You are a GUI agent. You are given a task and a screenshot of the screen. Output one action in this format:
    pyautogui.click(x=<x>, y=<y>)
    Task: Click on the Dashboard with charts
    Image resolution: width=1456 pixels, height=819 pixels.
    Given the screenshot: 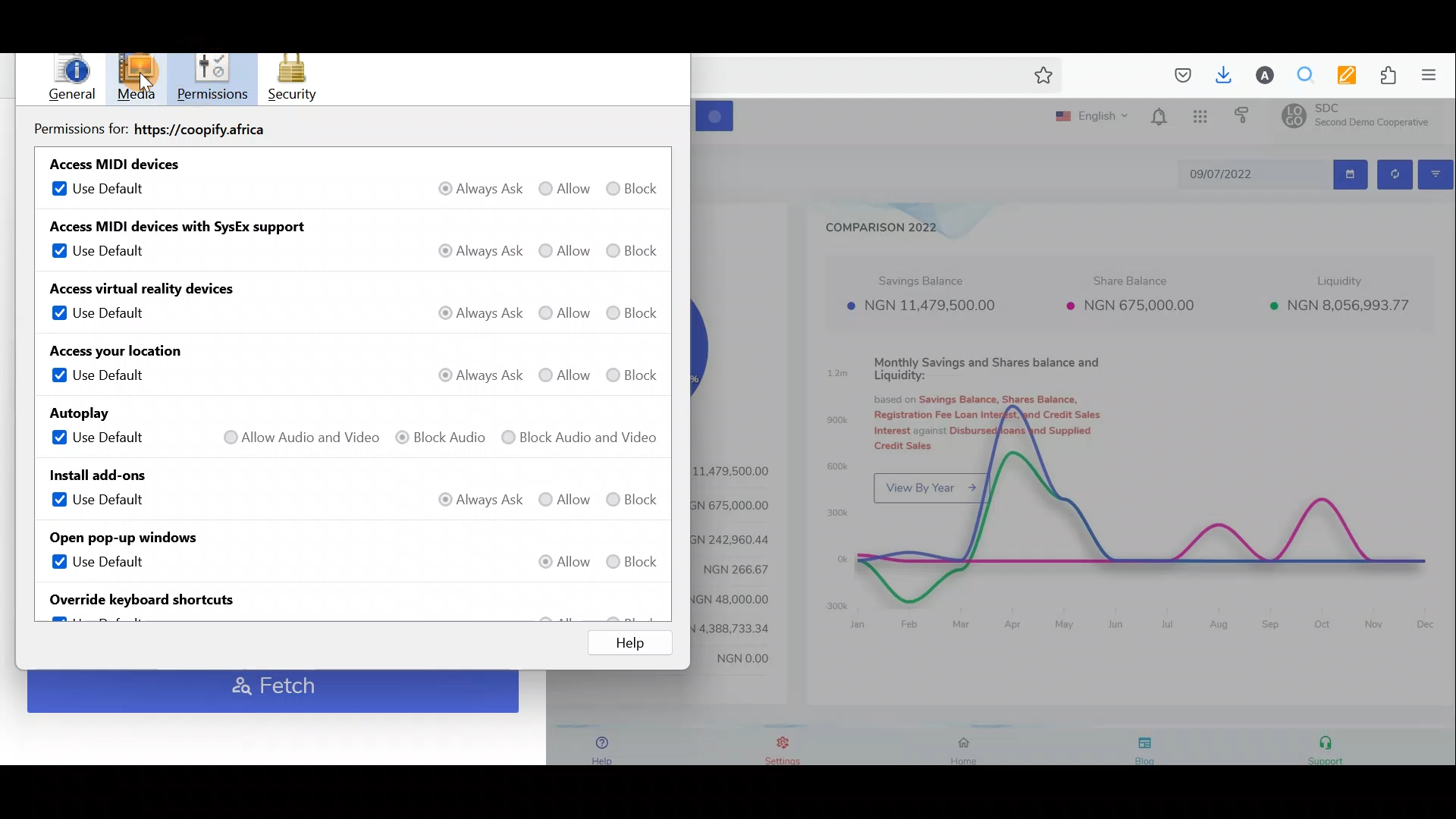 What is the action you would take?
    pyautogui.click(x=1075, y=438)
    